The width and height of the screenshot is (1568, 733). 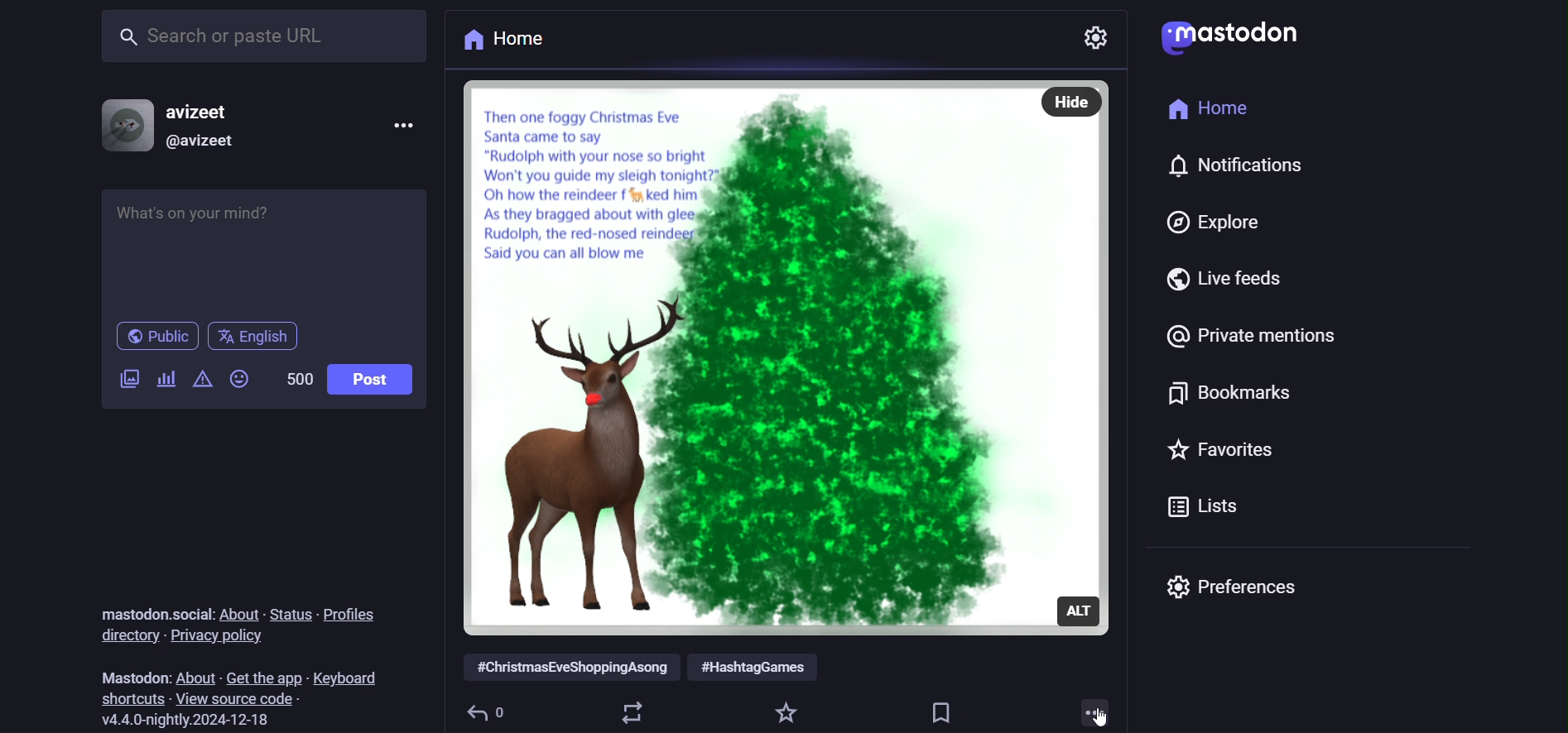 What do you see at coordinates (194, 677) in the screenshot?
I see `about` at bounding box center [194, 677].